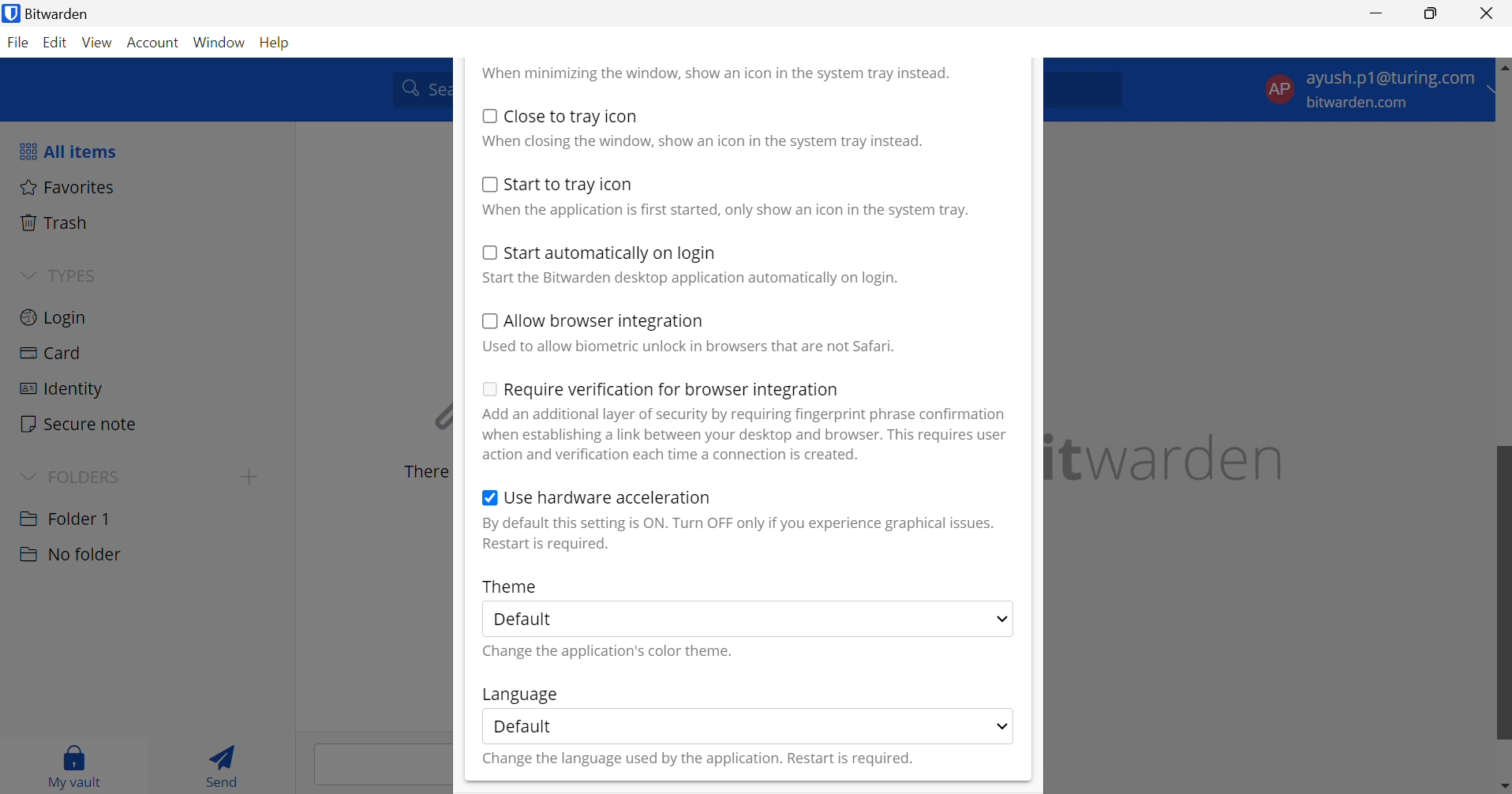 This screenshot has height=794, width=1512. Describe the element at coordinates (1278, 88) in the screenshot. I see `AP` at that location.